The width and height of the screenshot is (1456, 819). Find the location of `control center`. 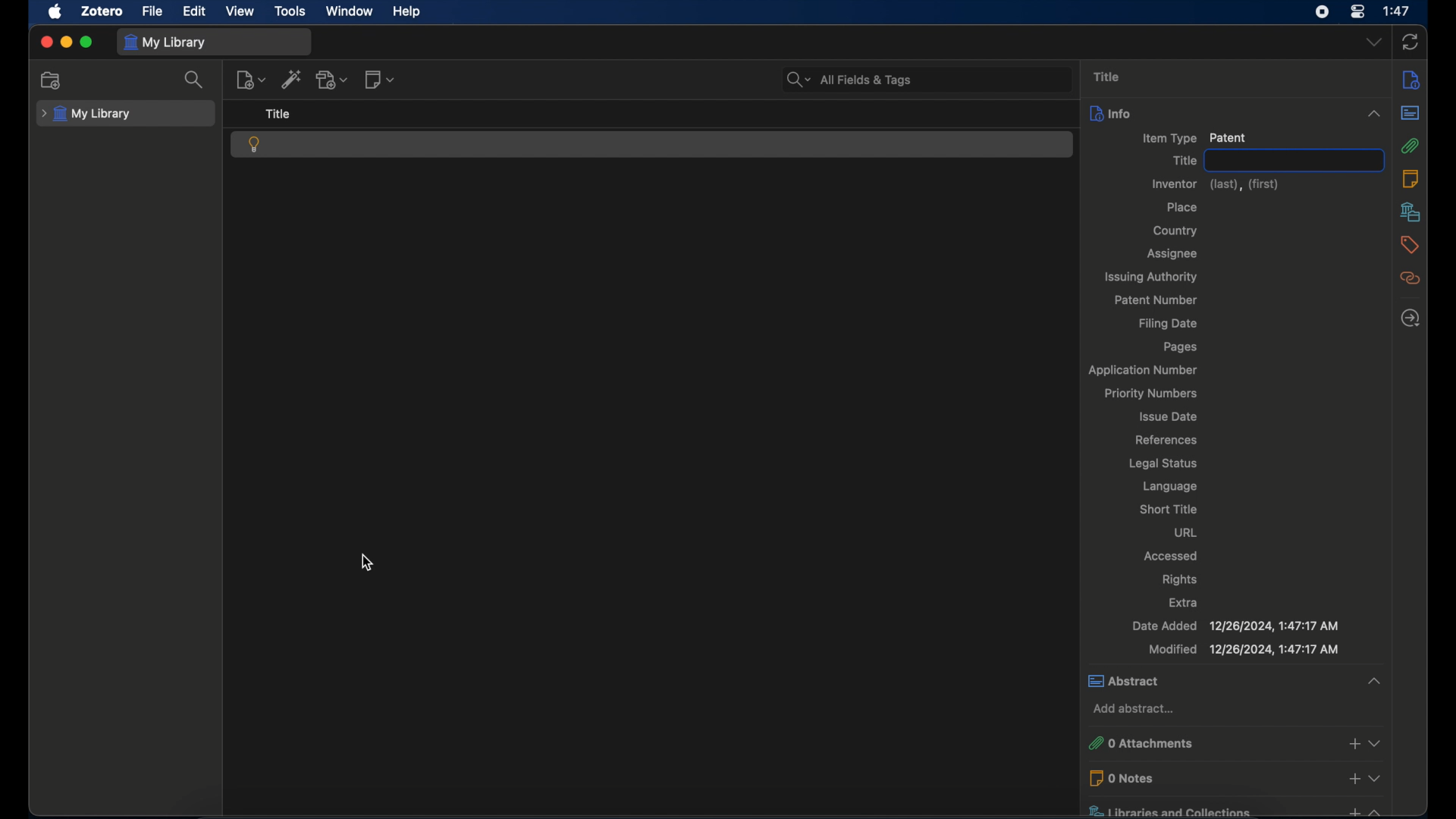

control center is located at coordinates (1360, 11).